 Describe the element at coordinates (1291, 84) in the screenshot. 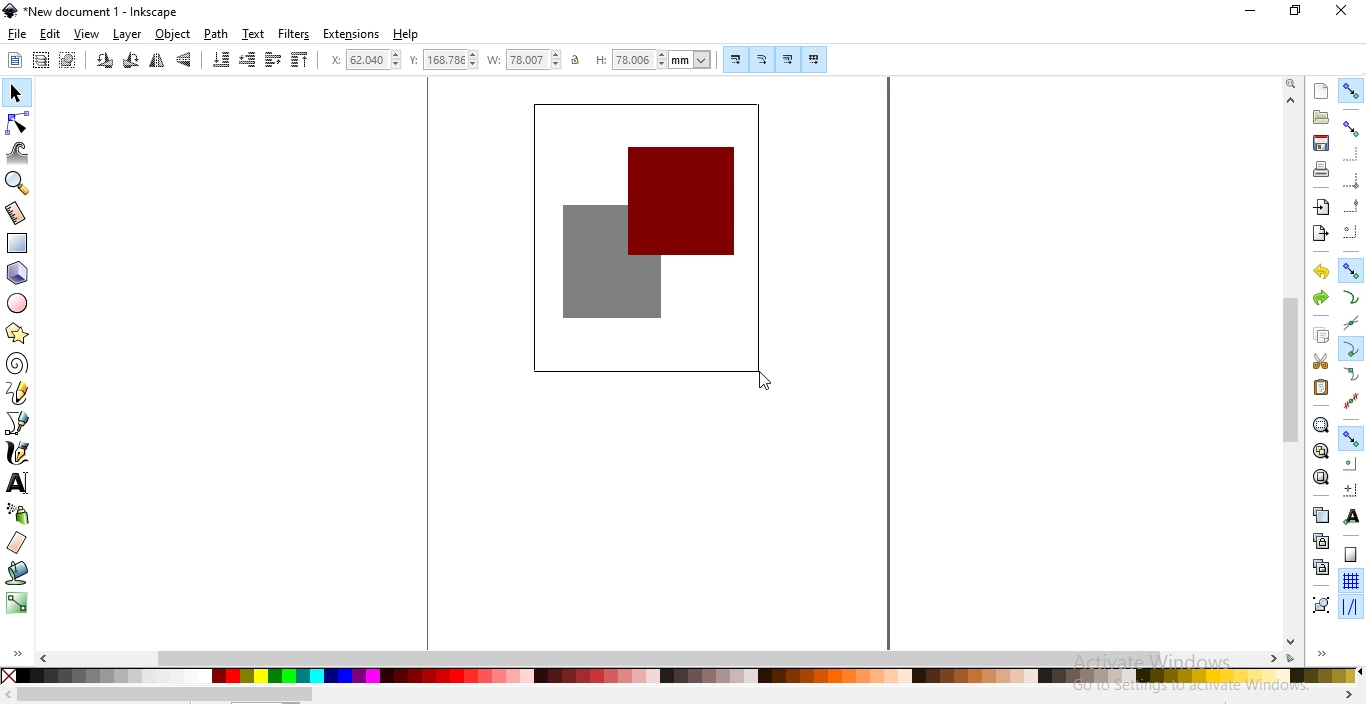

I see `zoom` at that location.